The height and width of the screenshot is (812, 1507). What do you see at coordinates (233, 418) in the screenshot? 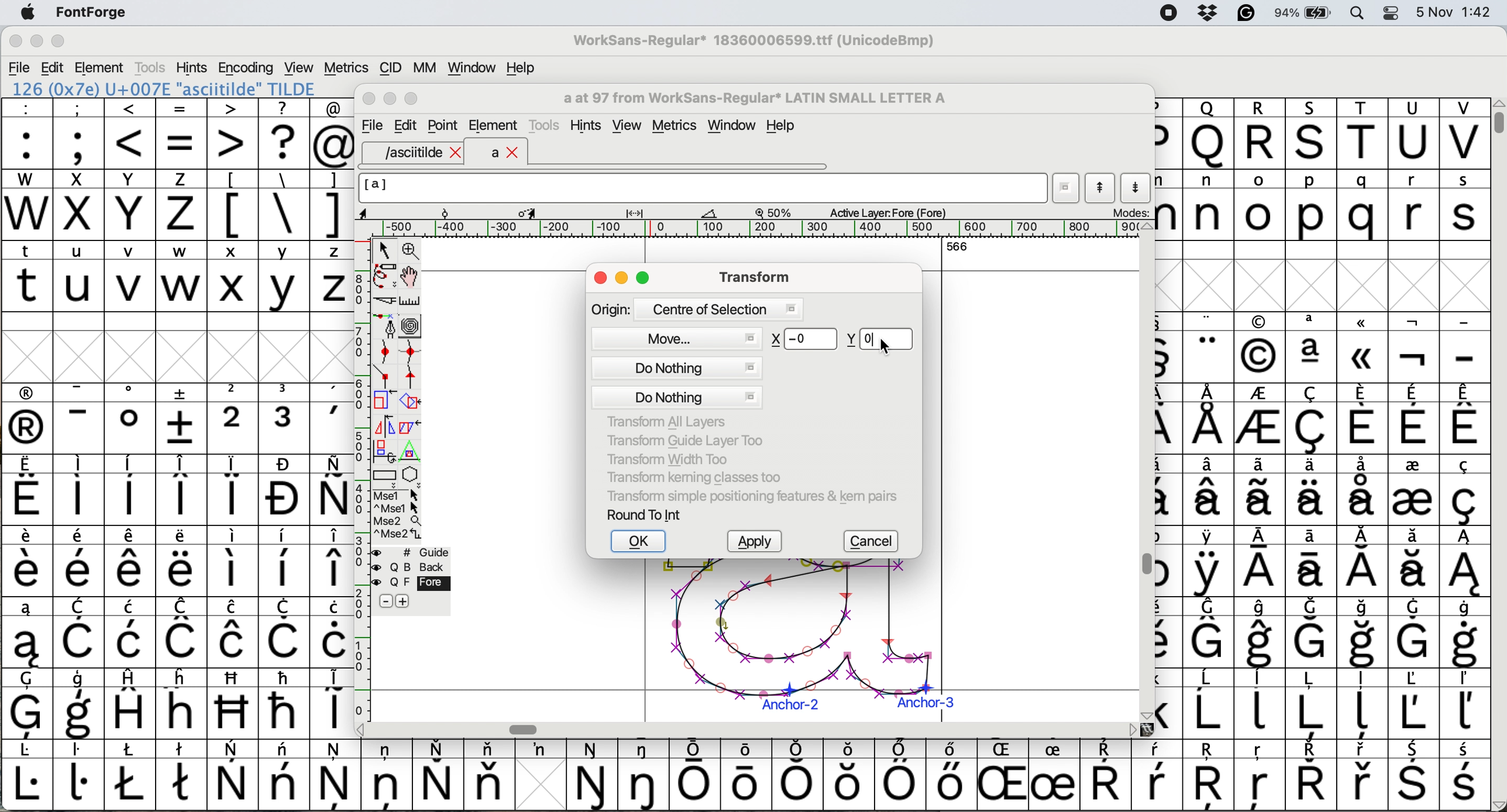
I see `2` at bounding box center [233, 418].